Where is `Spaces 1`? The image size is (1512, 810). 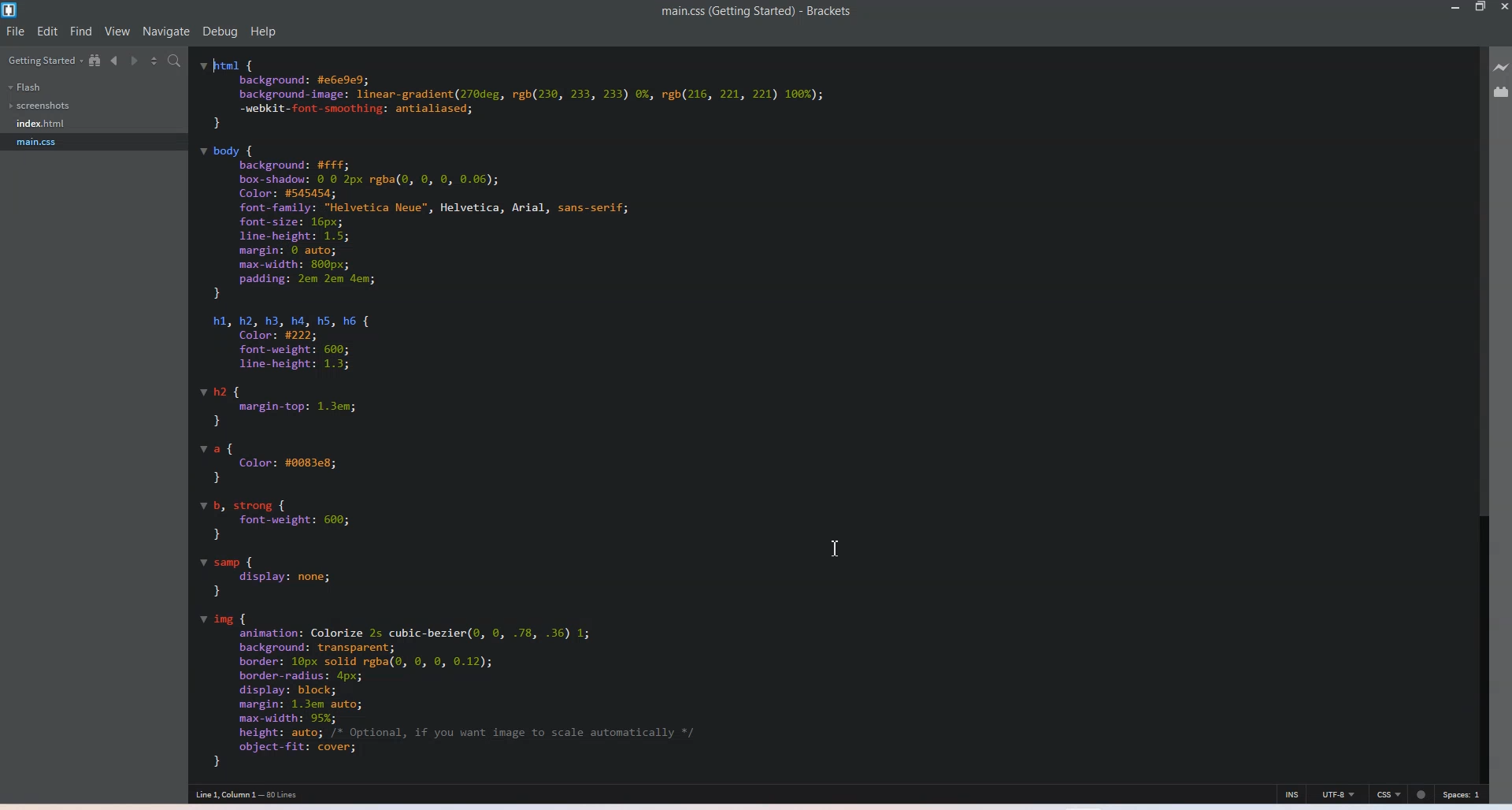
Spaces 1 is located at coordinates (1463, 794).